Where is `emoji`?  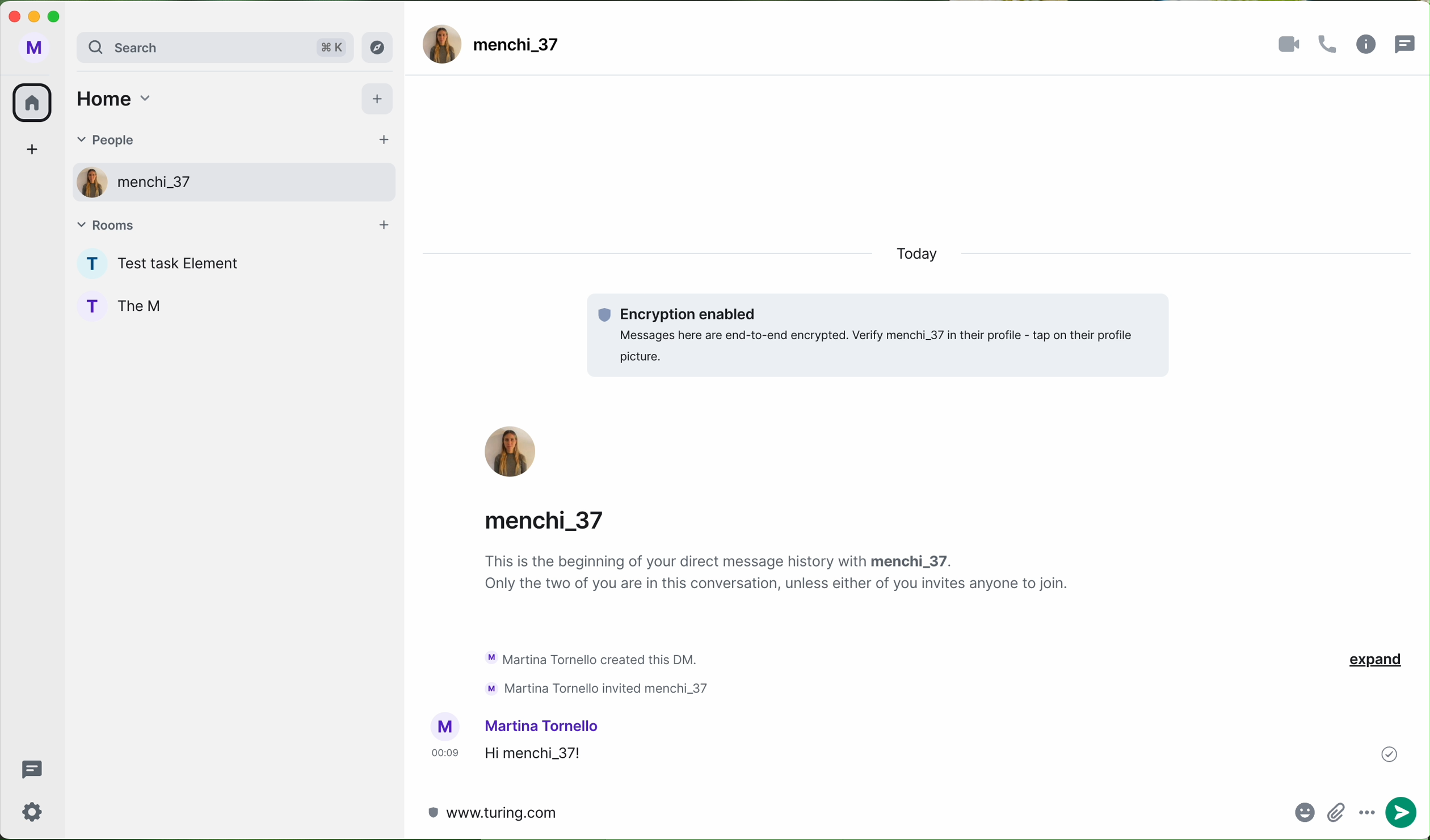
emoji is located at coordinates (1306, 817).